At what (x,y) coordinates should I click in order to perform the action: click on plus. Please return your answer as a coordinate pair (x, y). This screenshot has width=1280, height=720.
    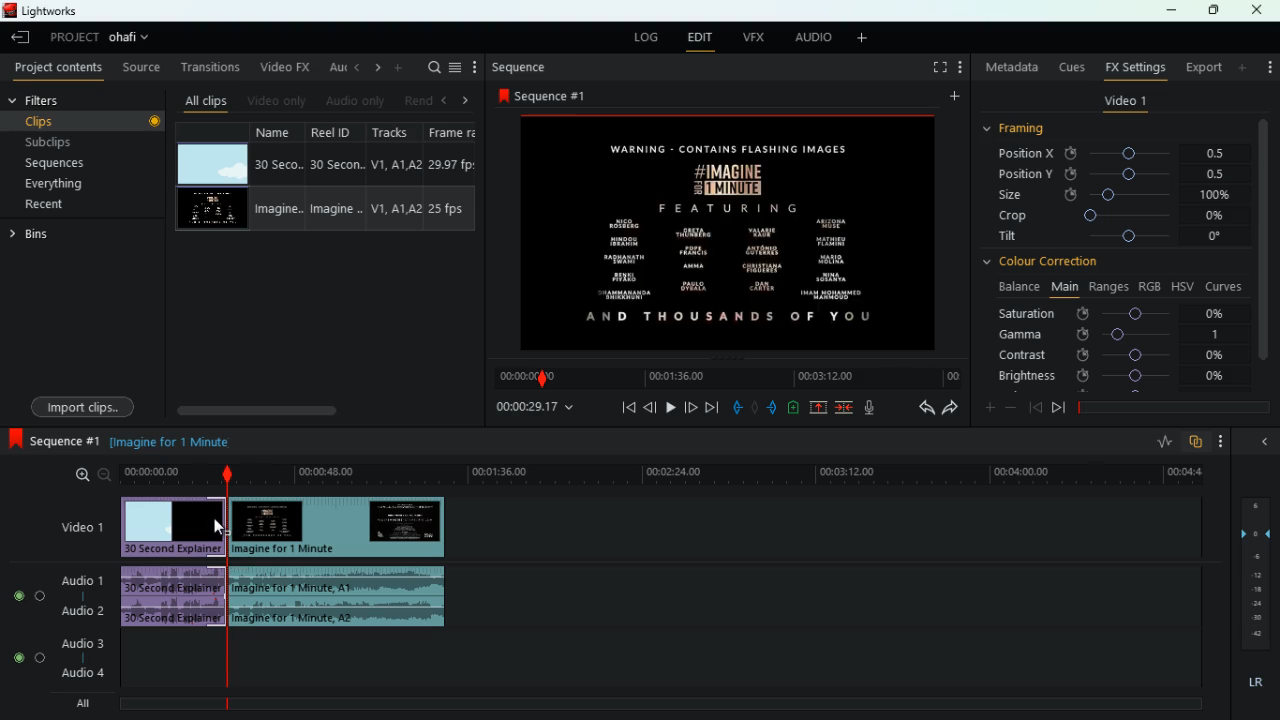
    Looking at the image, I should click on (987, 409).